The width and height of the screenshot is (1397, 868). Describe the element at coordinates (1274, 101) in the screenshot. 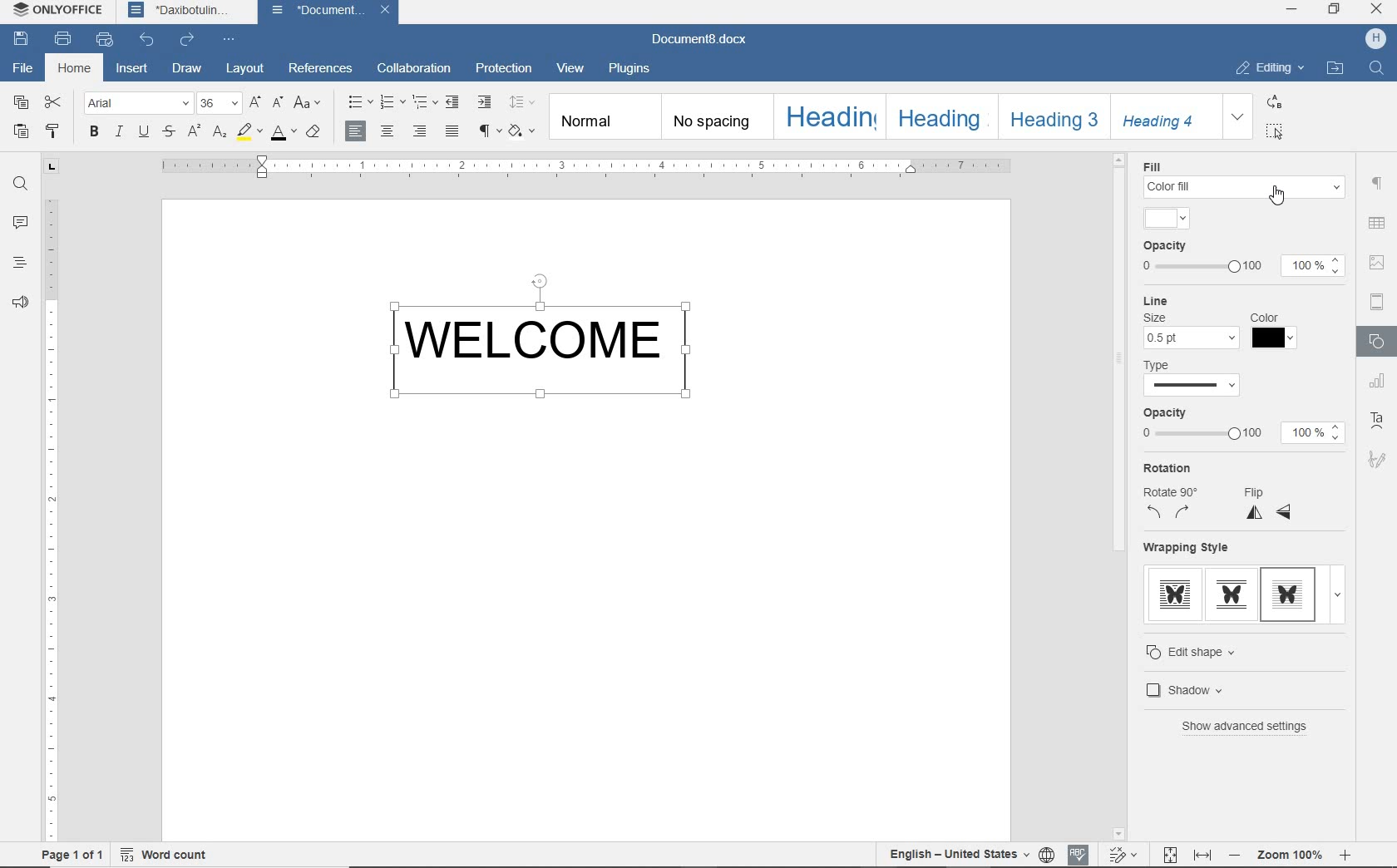

I see `REPLACE` at that location.